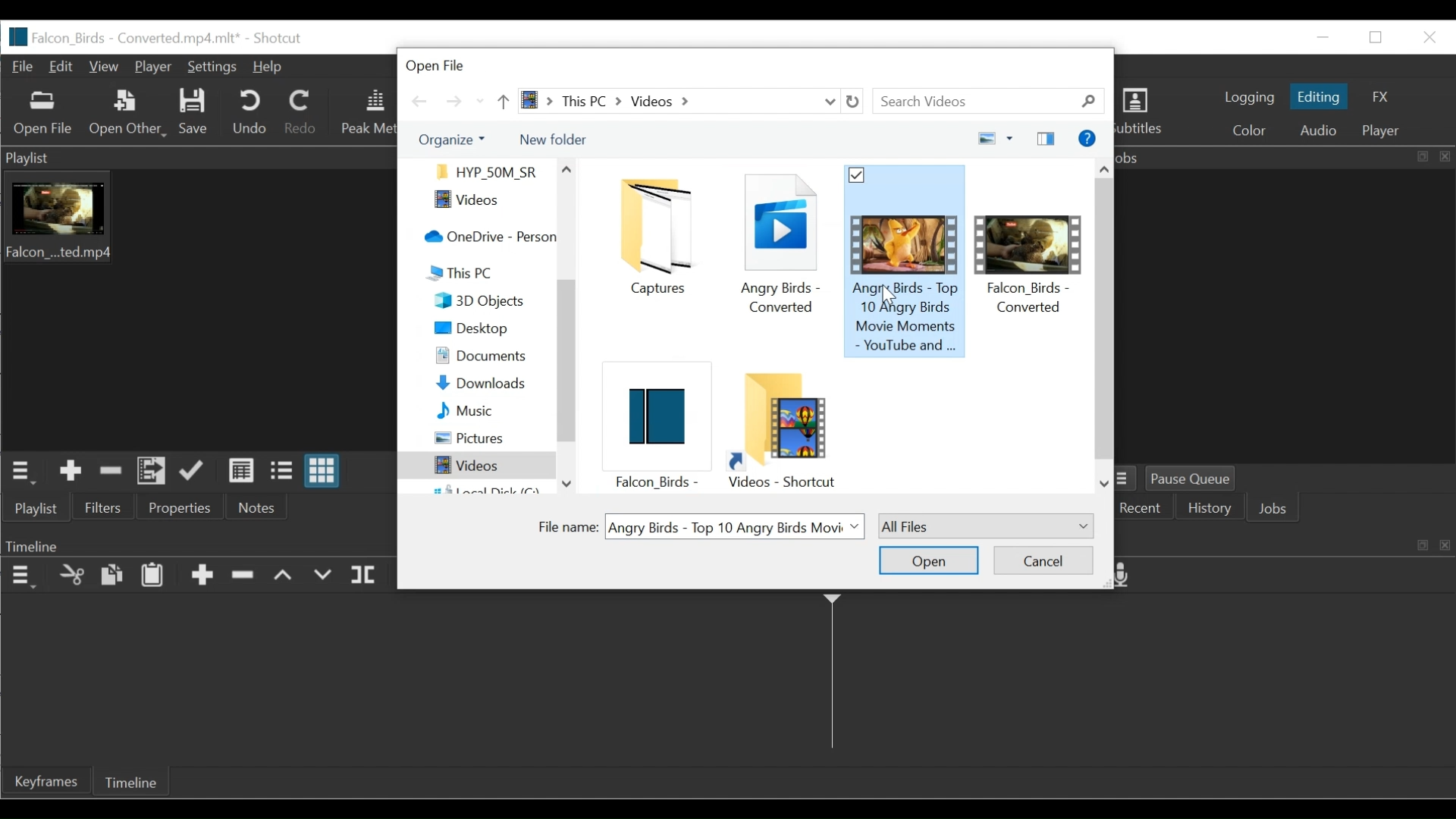  What do you see at coordinates (111, 576) in the screenshot?
I see `Copy` at bounding box center [111, 576].